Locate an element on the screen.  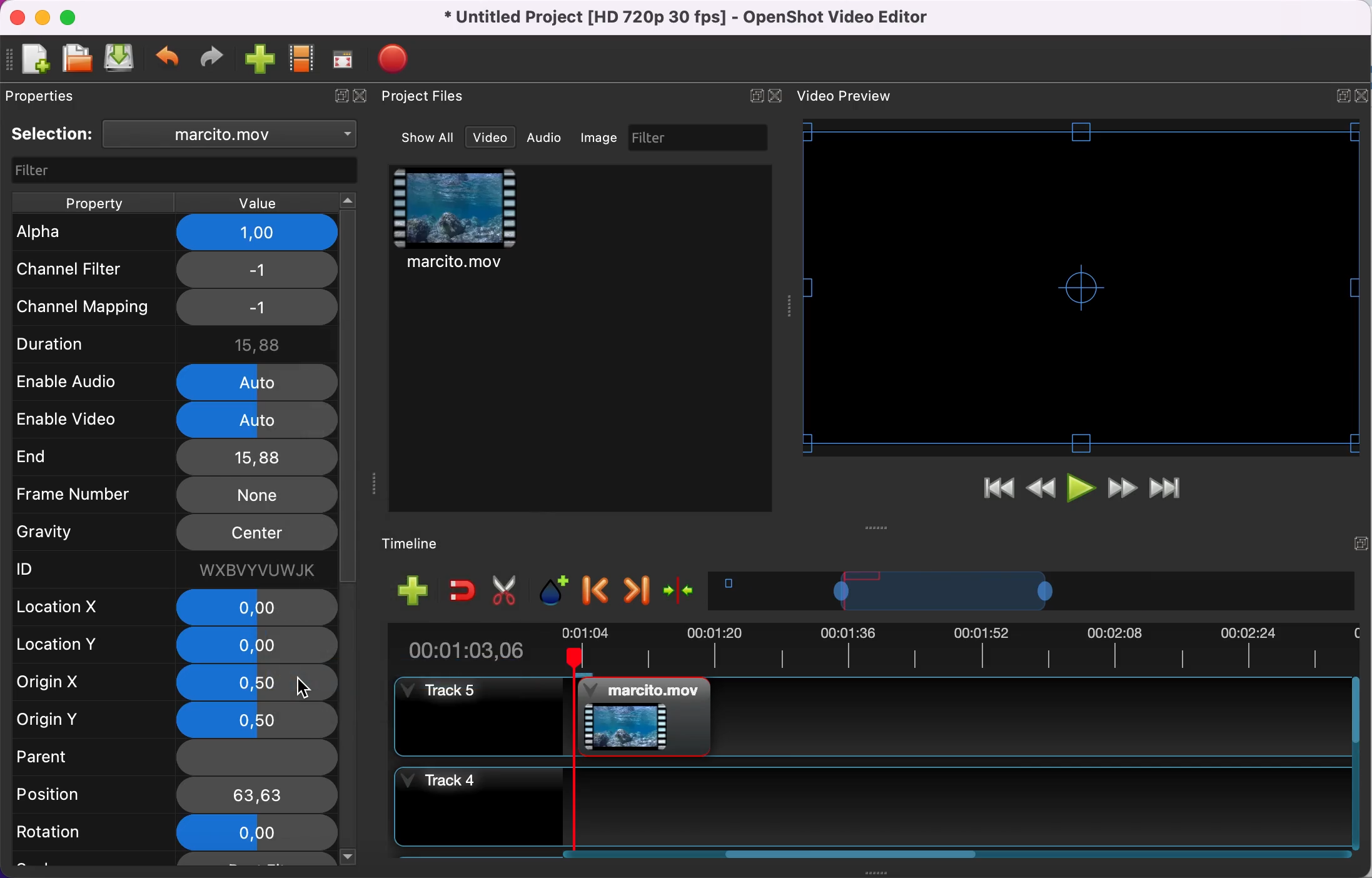
parent none is located at coordinates (172, 759).